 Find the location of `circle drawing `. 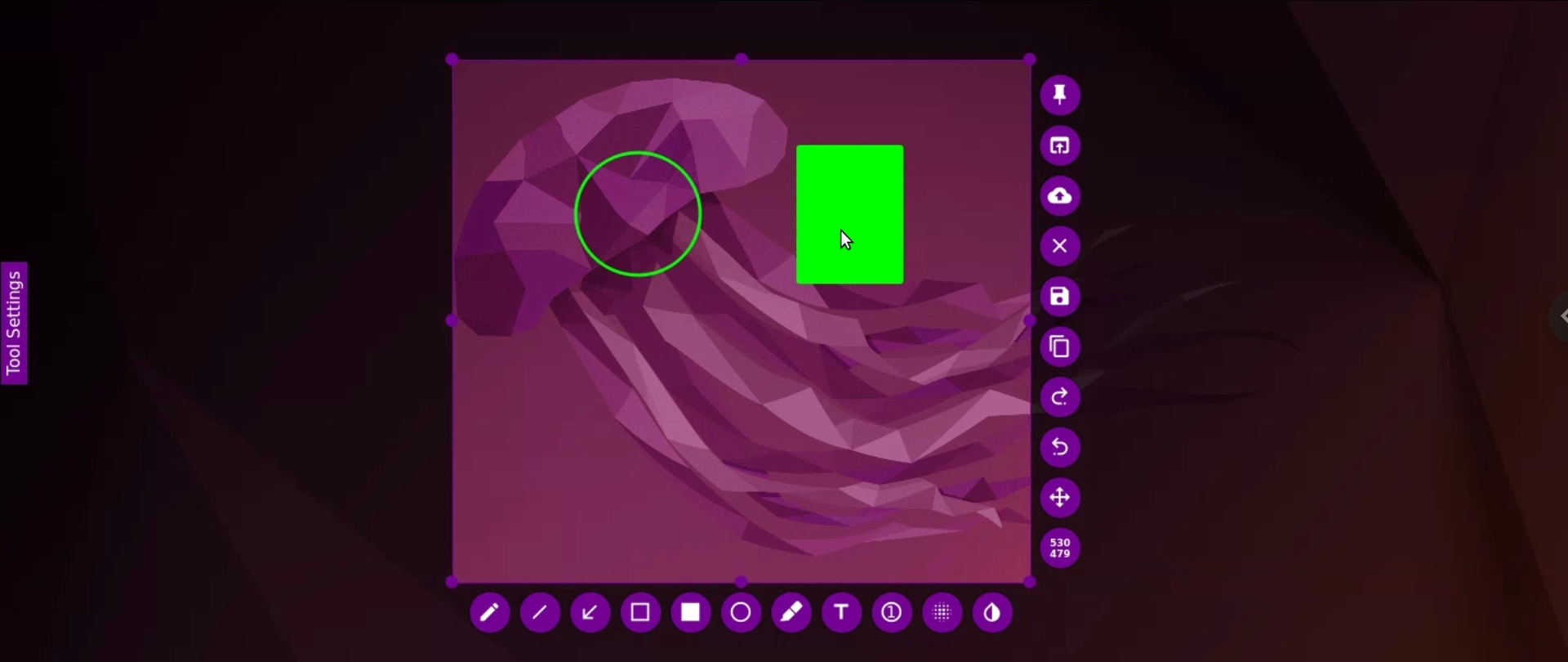

circle drawing  is located at coordinates (639, 213).